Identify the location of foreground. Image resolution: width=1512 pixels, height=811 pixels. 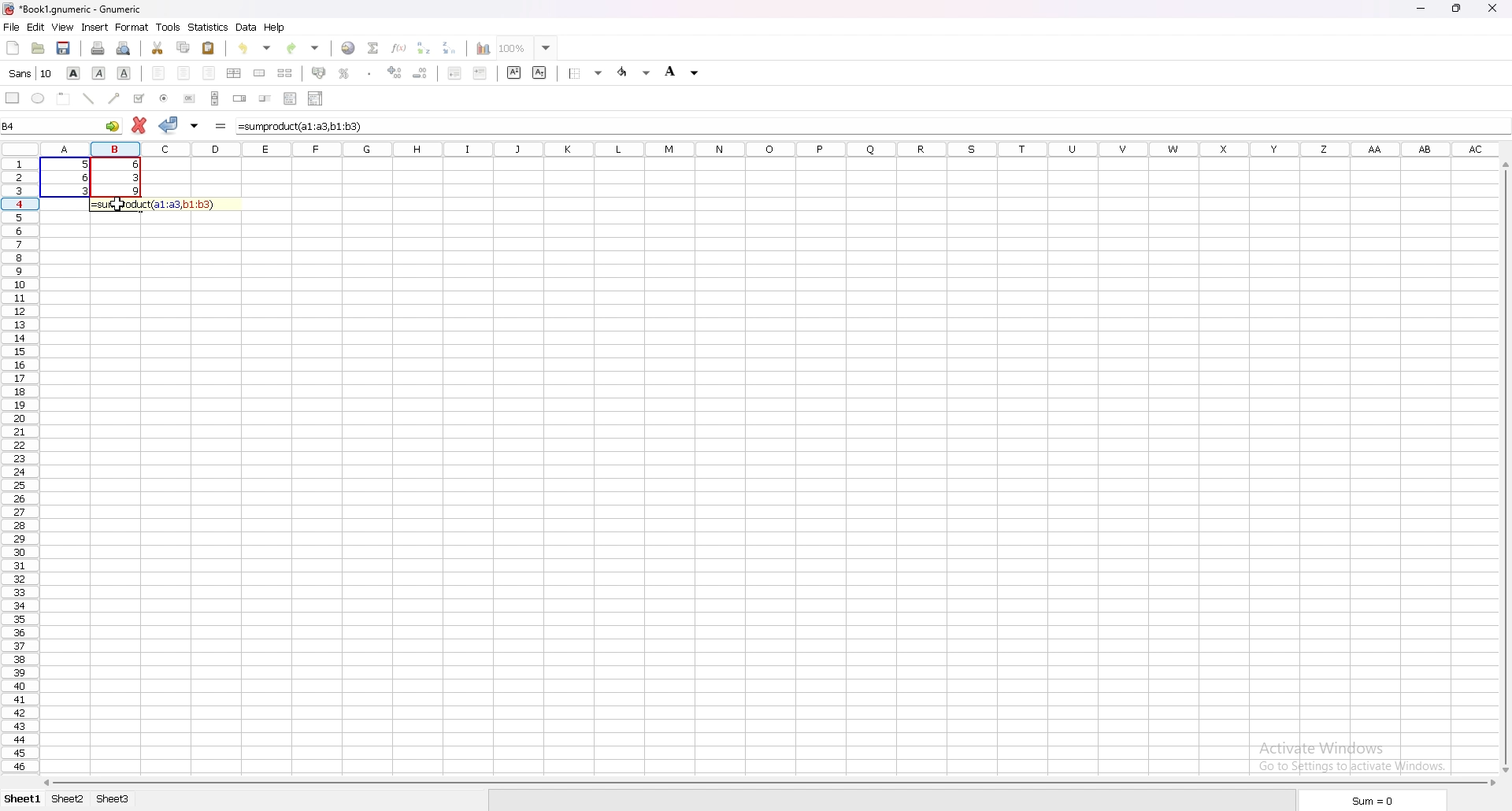
(685, 72).